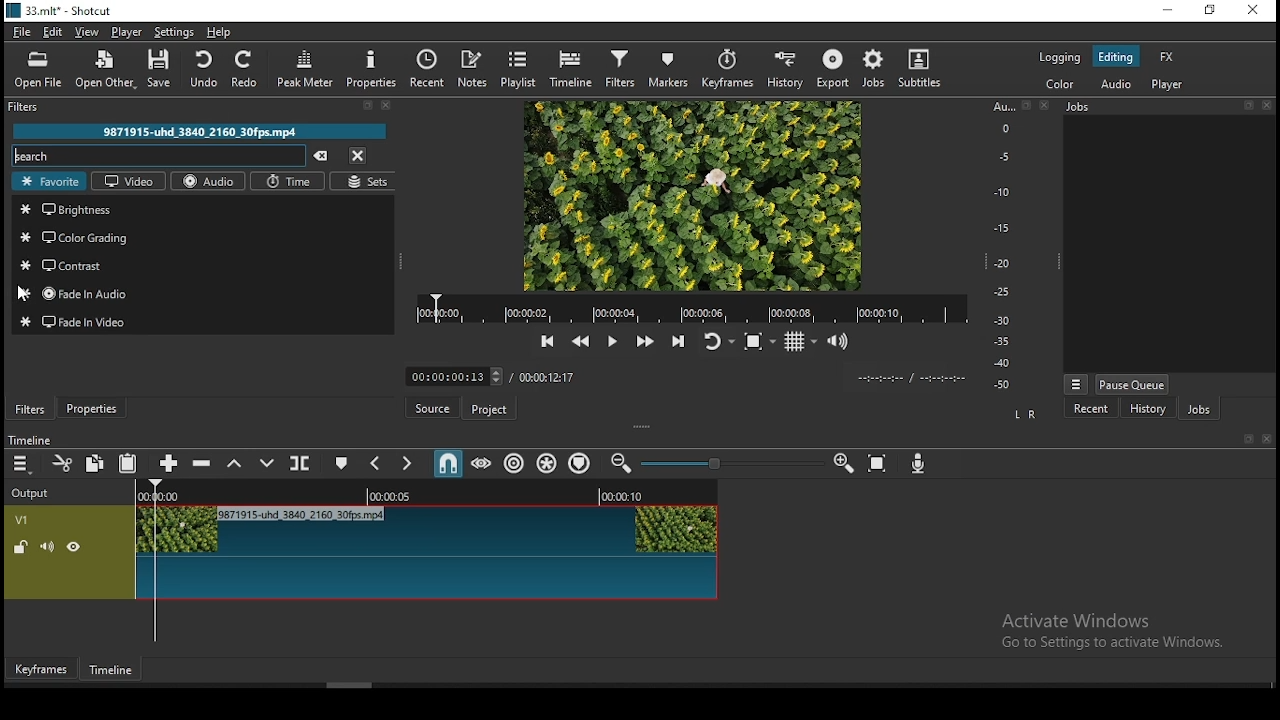 The width and height of the screenshot is (1280, 720). Describe the element at coordinates (1002, 107) in the screenshot. I see `Au...` at that location.